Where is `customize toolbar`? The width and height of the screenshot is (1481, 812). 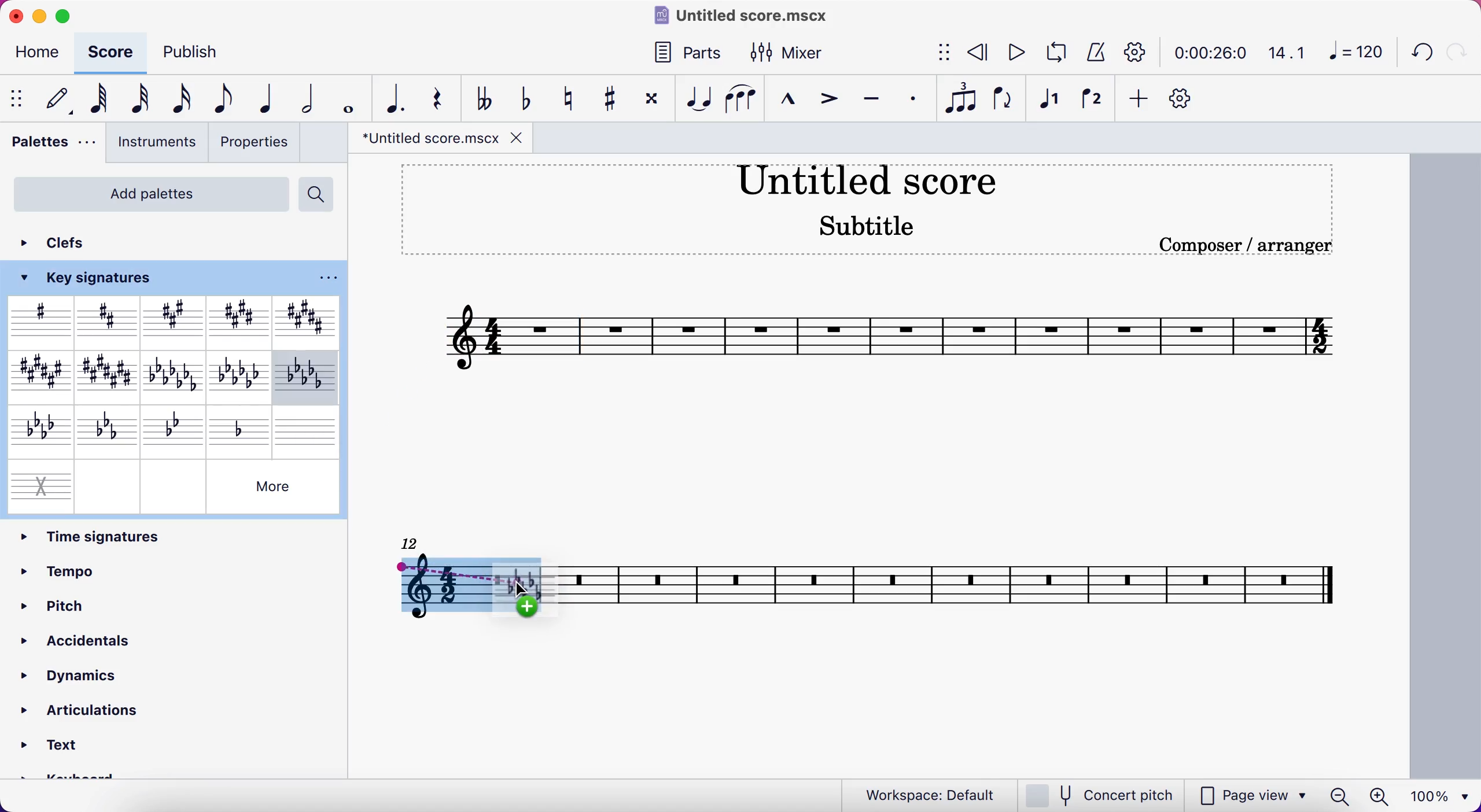
customize toolbar is located at coordinates (1189, 98).